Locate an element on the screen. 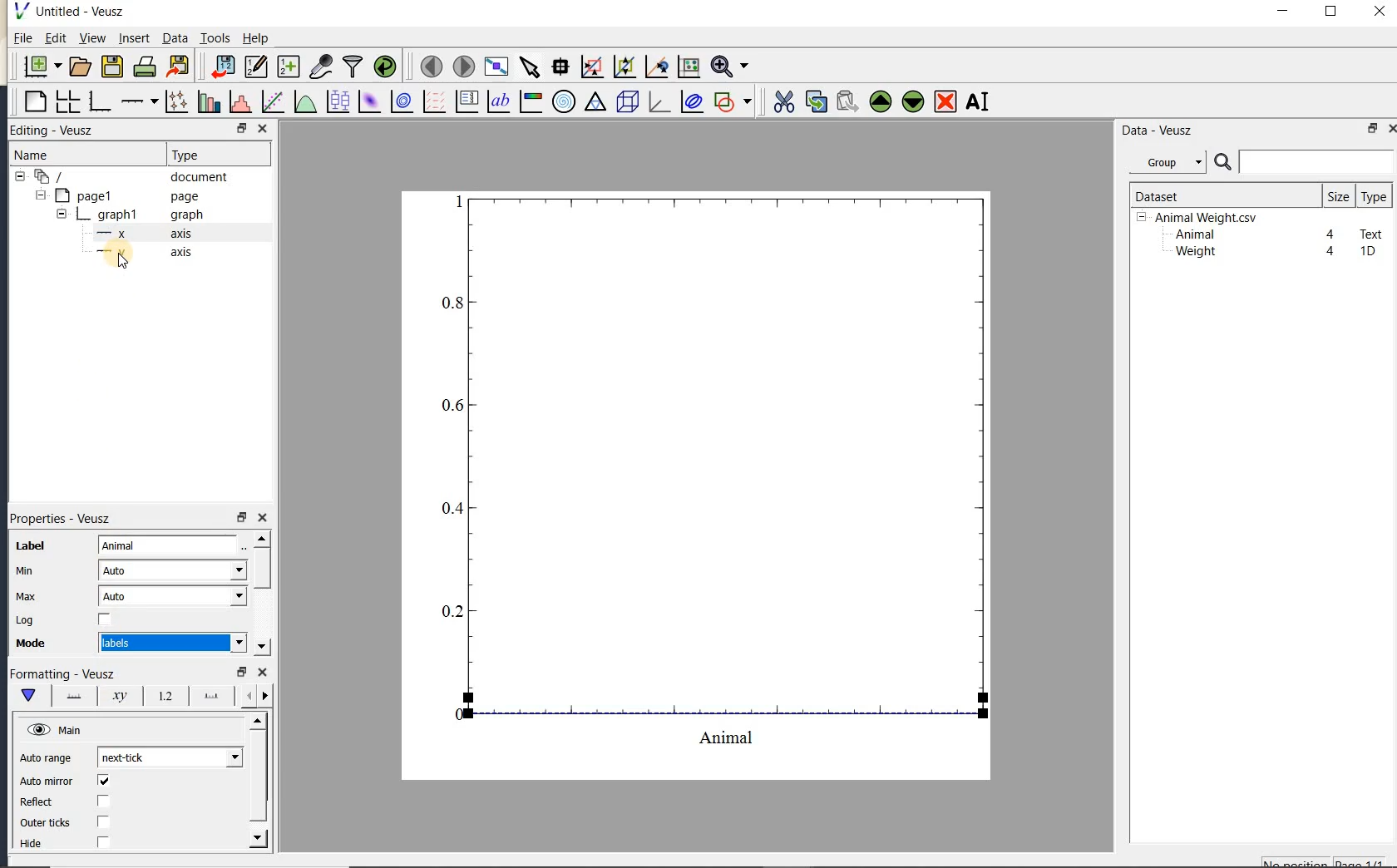 The image size is (1397, 868). 3d scene is located at coordinates (625, 102).